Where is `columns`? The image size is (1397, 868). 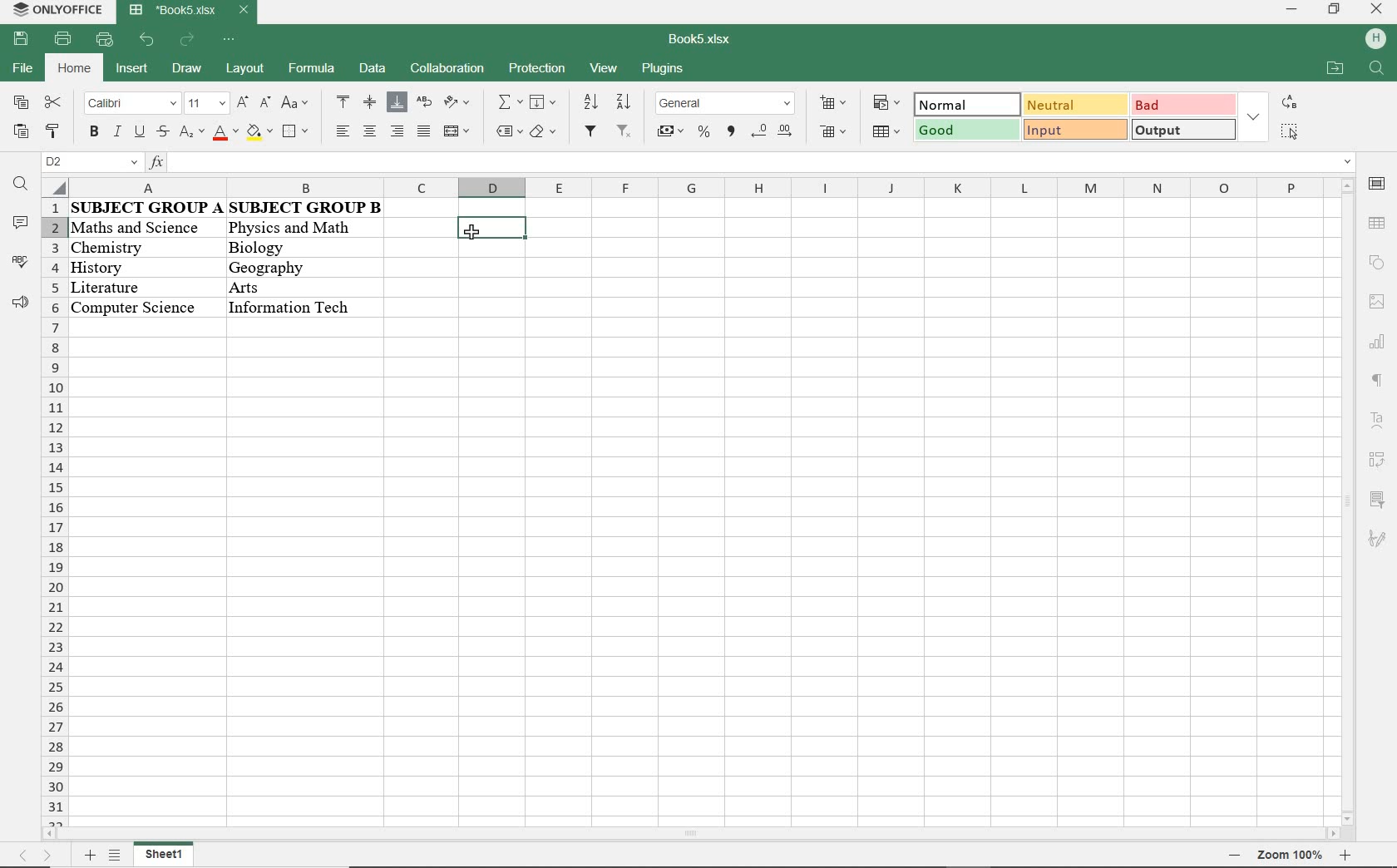 columns is located at coordinates (684, 187).